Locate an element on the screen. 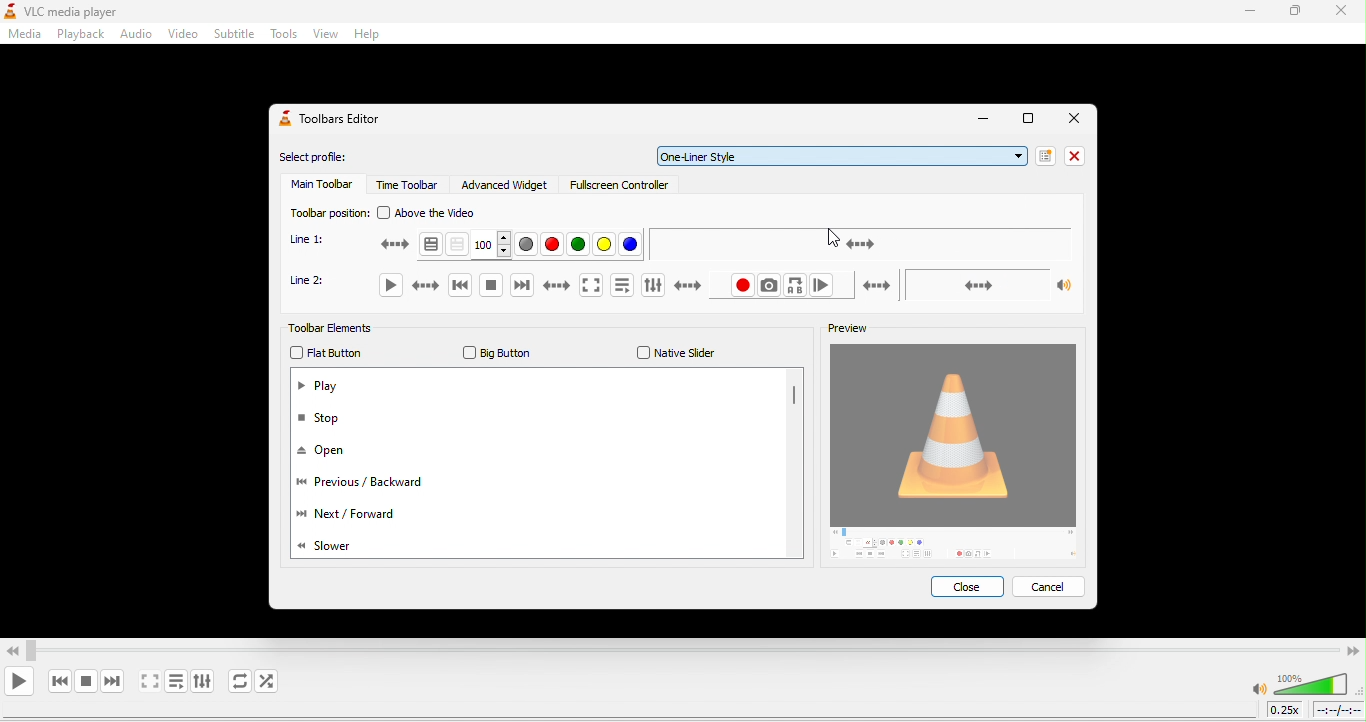 Image resolution: width=1366 pixels, height=722 pixels. show extended settings is located at coordinates (669, 282).